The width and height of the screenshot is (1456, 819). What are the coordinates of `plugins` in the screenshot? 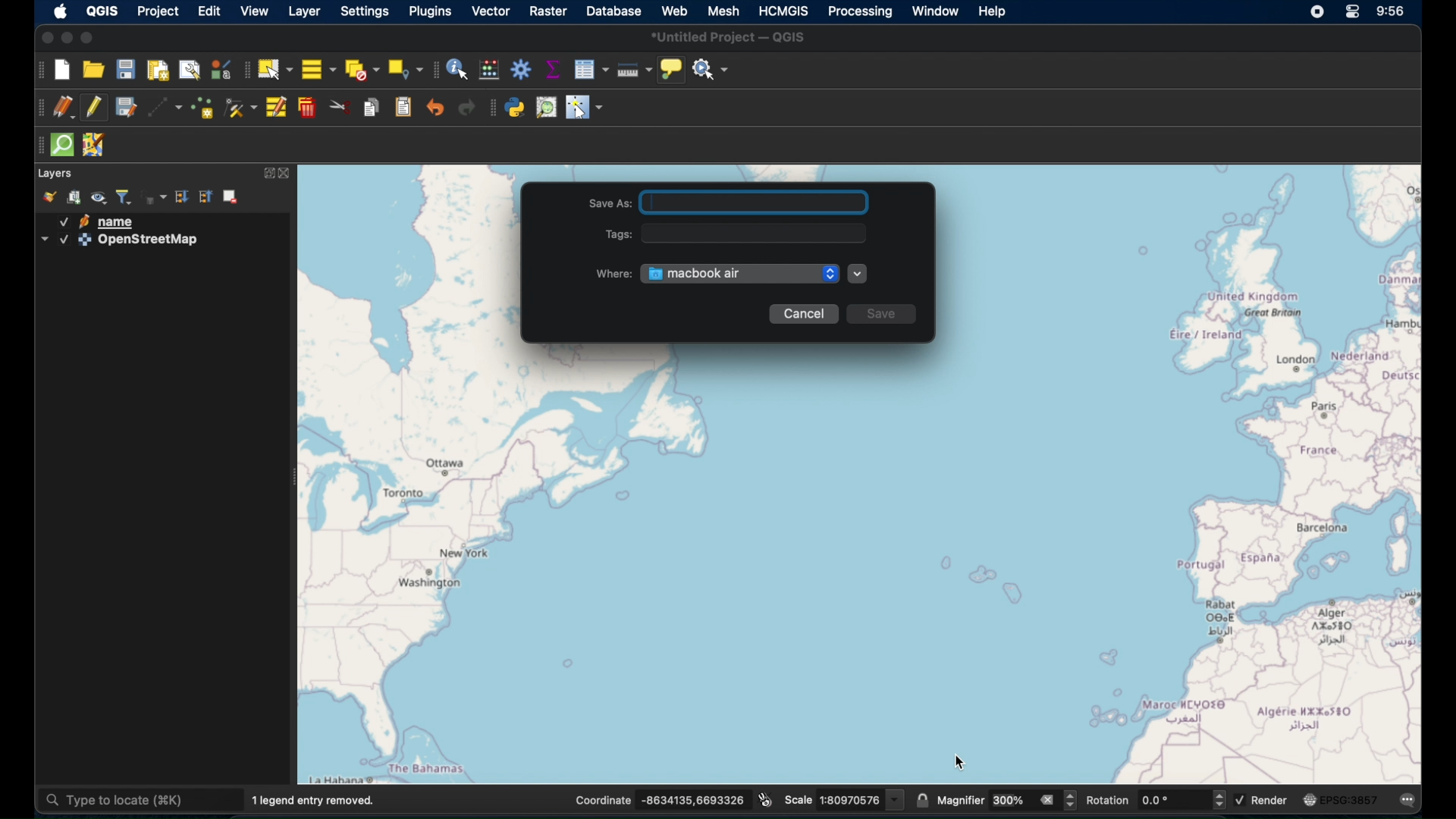 It's located at (432, 13).